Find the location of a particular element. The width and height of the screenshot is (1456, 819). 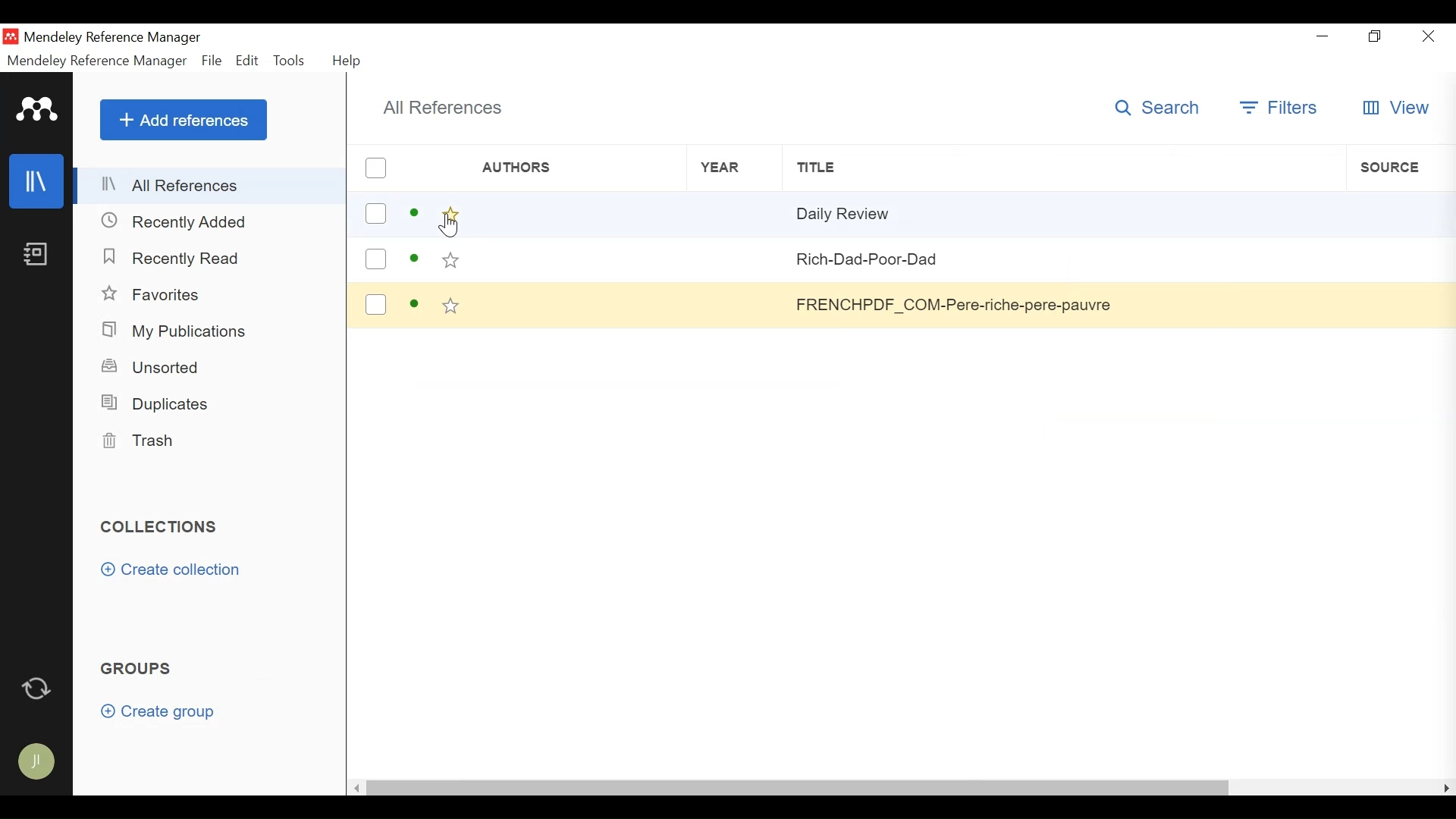

Filter is located at coordinates (1282, 108).